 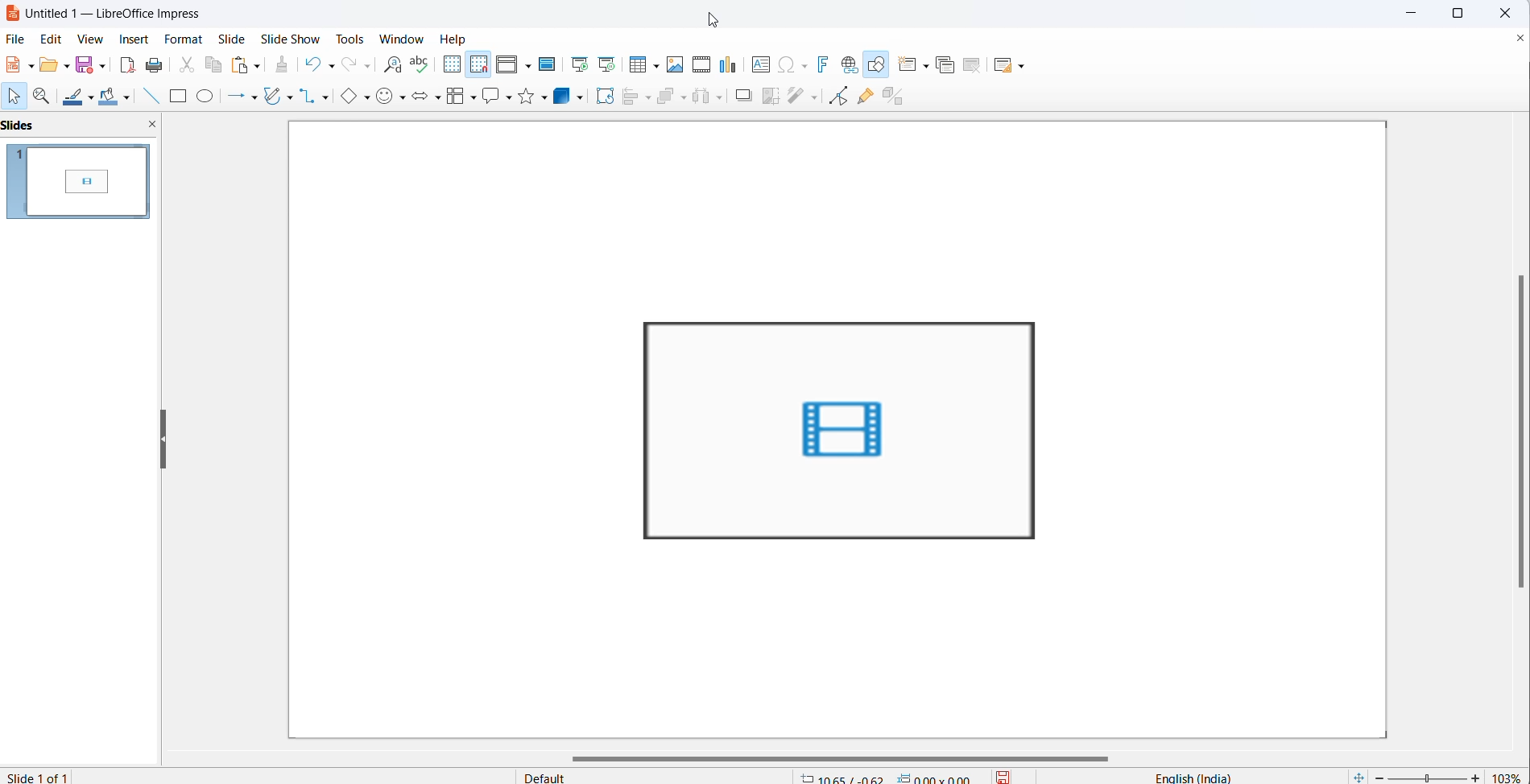 I want to click on cursor and selection coordinates, so click(x=889, y=774).